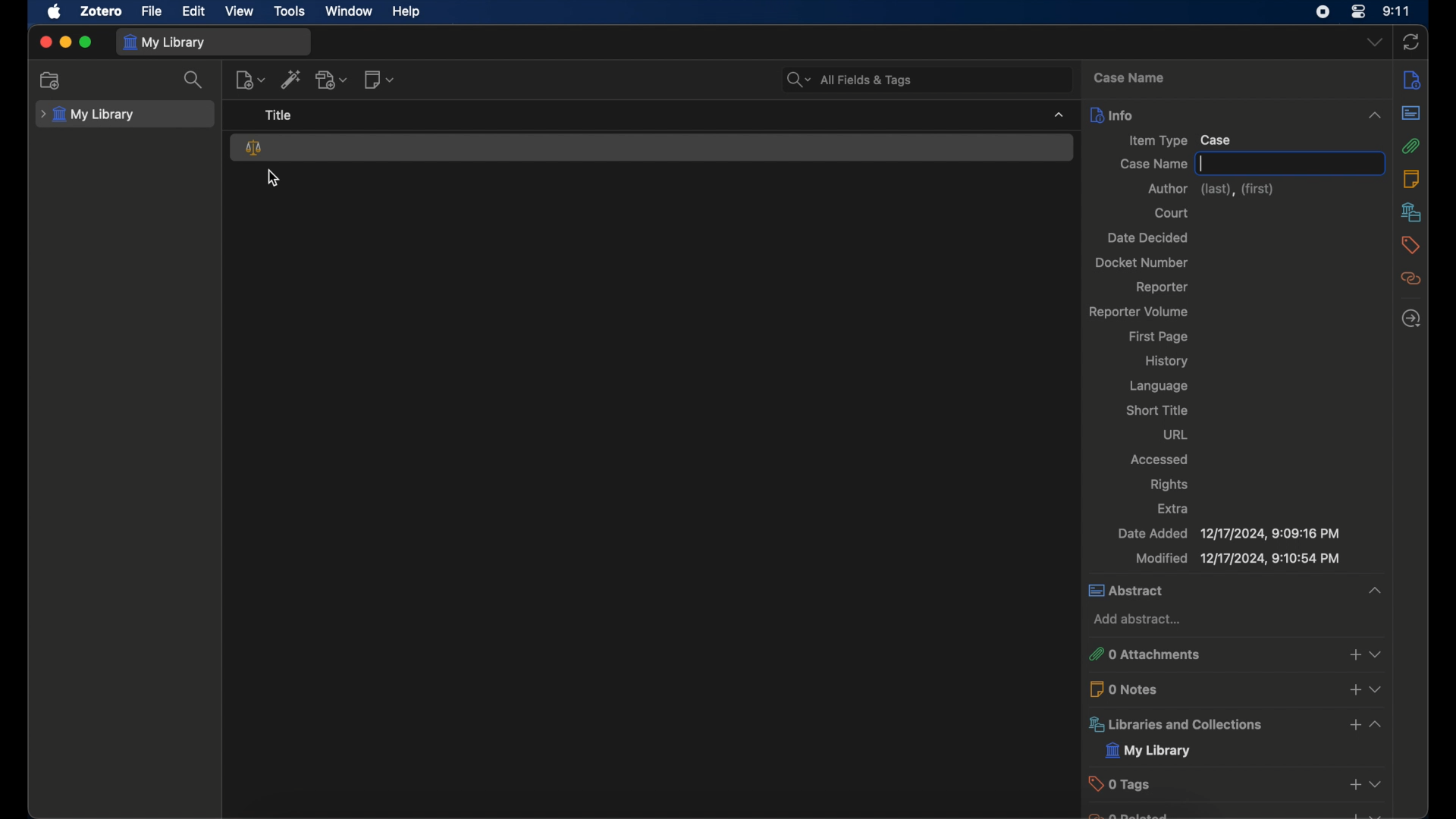 Image resolution: width=1456 pixels, height=819 pixels. Describe the element at coordinates (849, 80) in the screenshot. I see `all fields and tags` at that location.